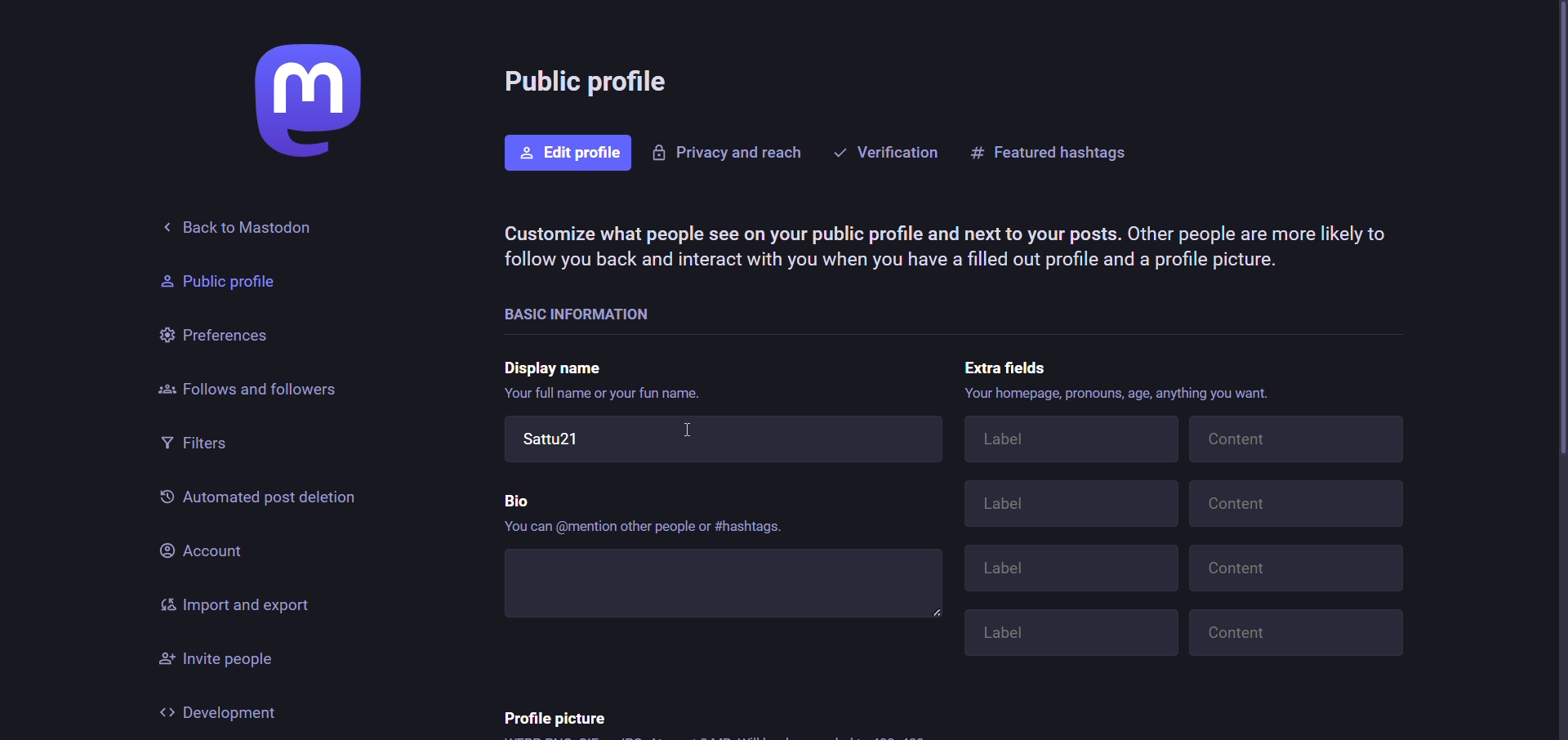 Image resolution: width=1568 pixels, height=740 pixels. What do you see at coordinates (1071, 506) in the screenshot?
I see `Label` at bounding box center [1071, 506].